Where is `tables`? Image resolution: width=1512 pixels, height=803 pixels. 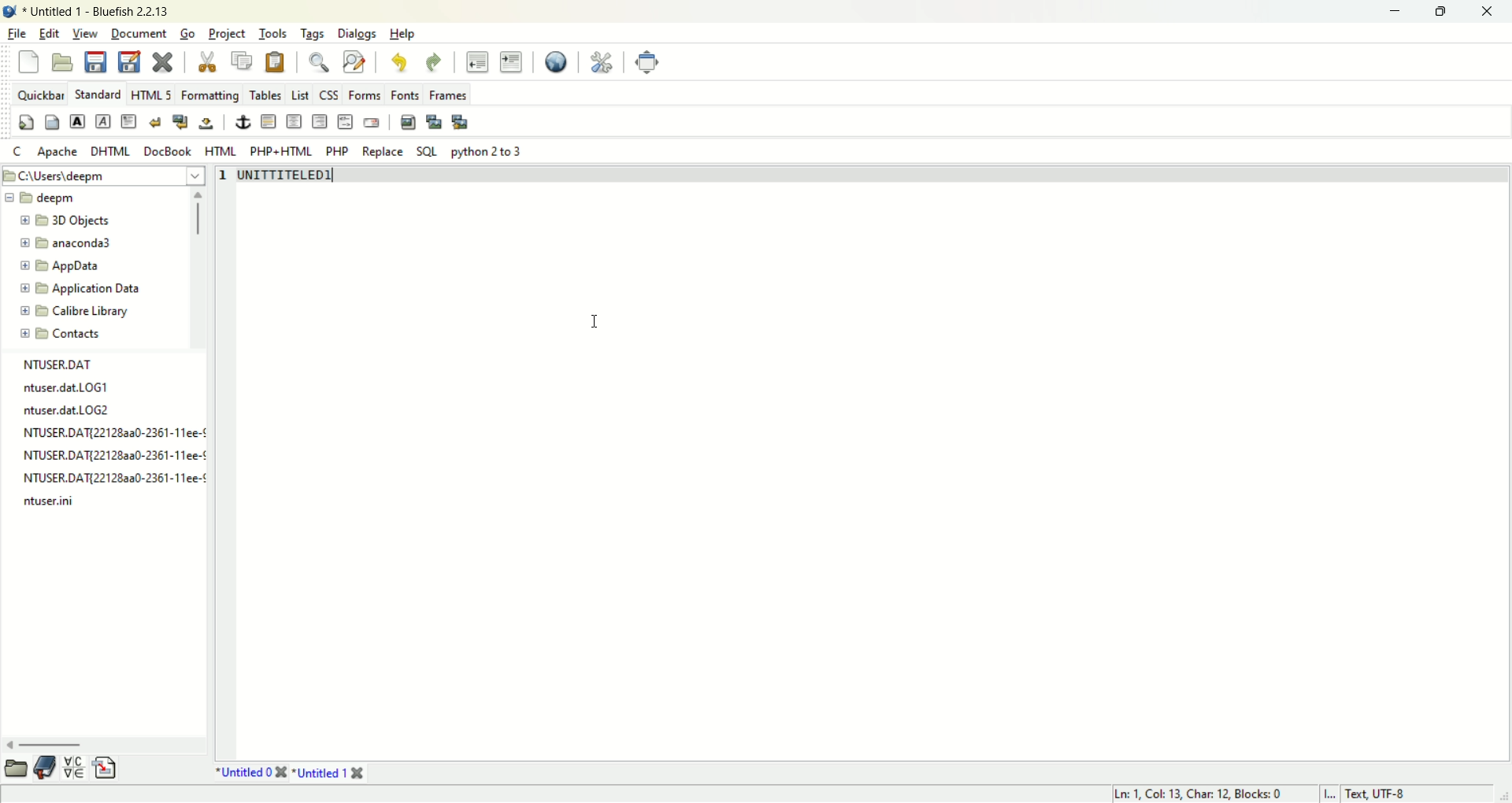
tables is located at coordinates (262, 97).